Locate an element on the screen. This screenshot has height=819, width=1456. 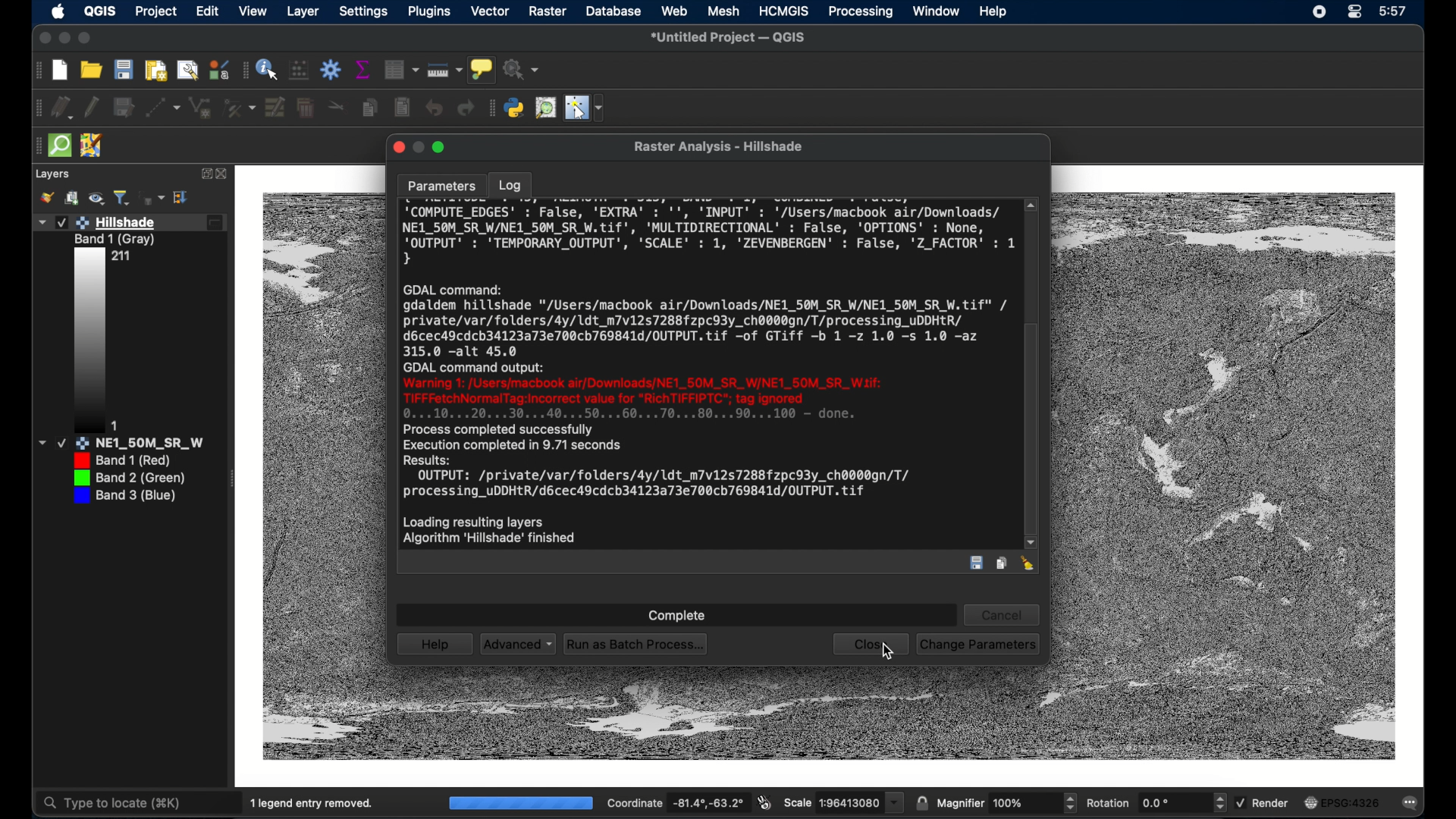
maximize is located at coordinates (440, 146).